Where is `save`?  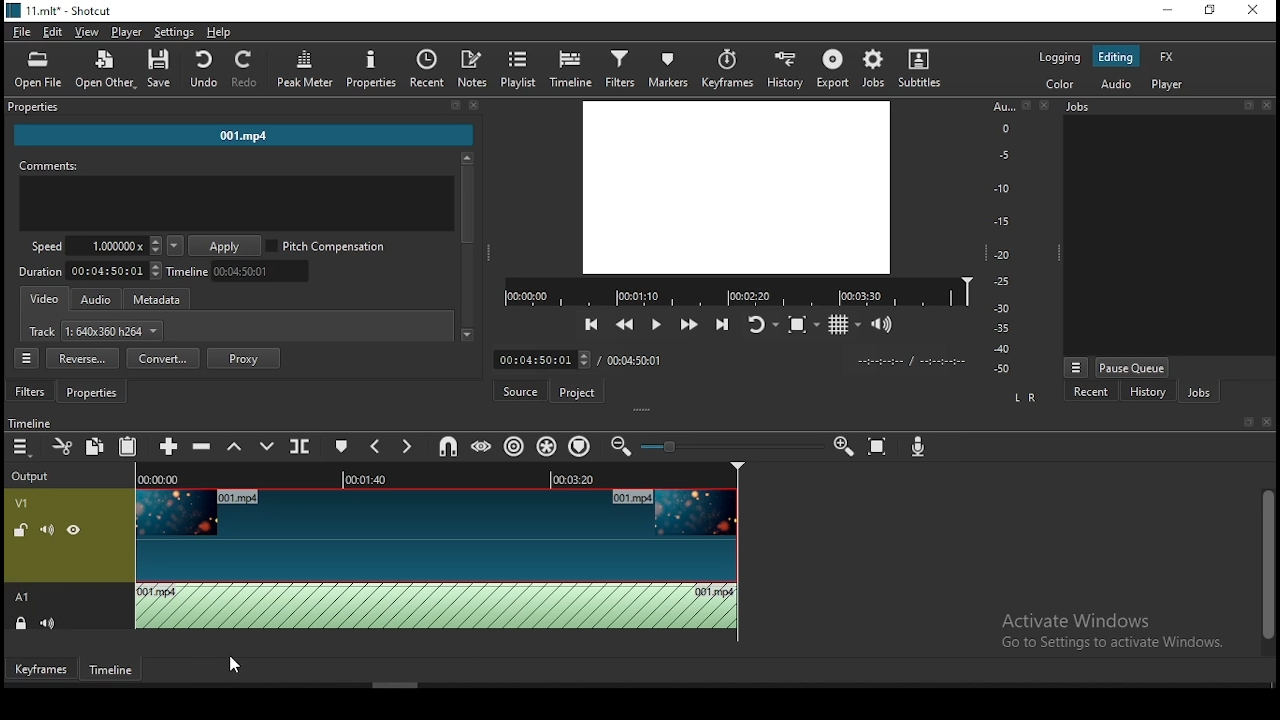
save is located at coordinates (163, 68).